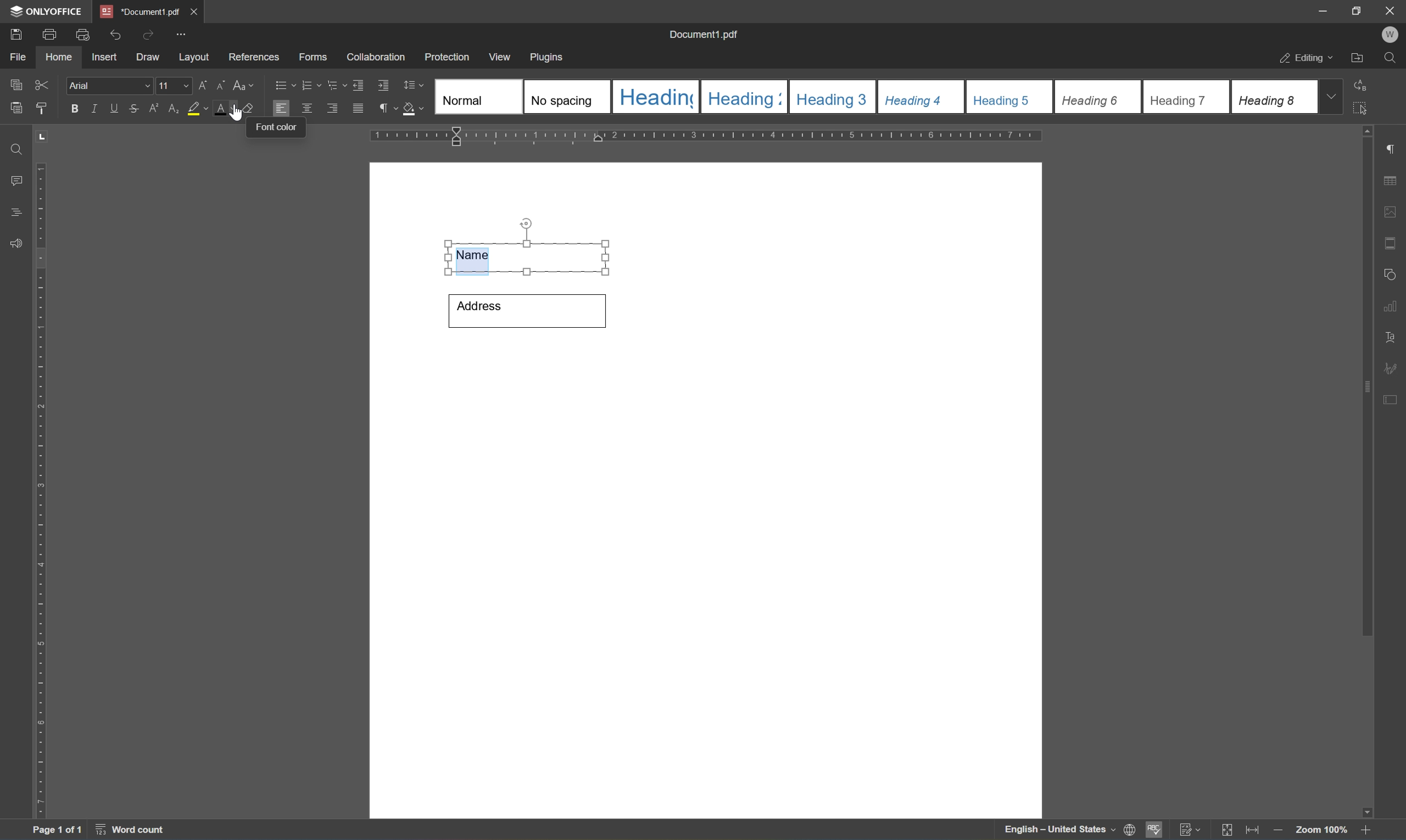  Describe the element at coordinates (1251, 832) in the screenshot. I see `fit to width` at that location.